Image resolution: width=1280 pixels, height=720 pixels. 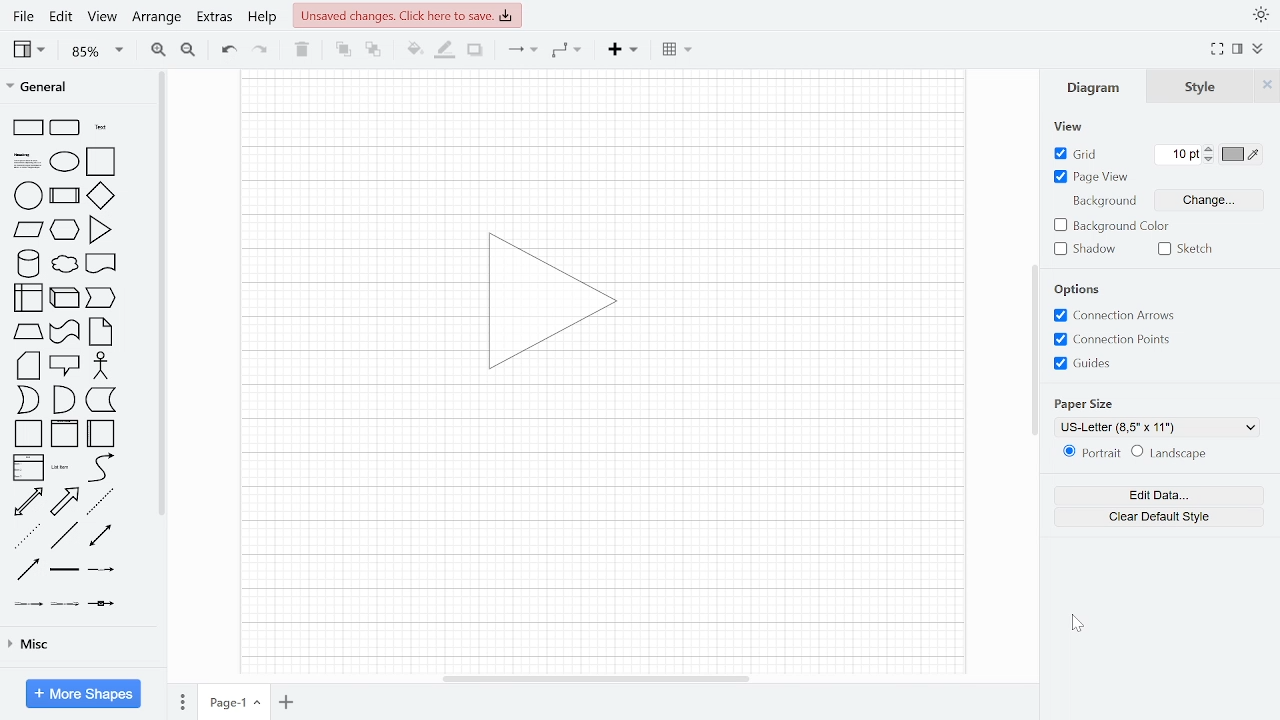 What do you see at coordinates (261, 51) in the screenshot?
I see `Redo` at bounding box center [261, 51].